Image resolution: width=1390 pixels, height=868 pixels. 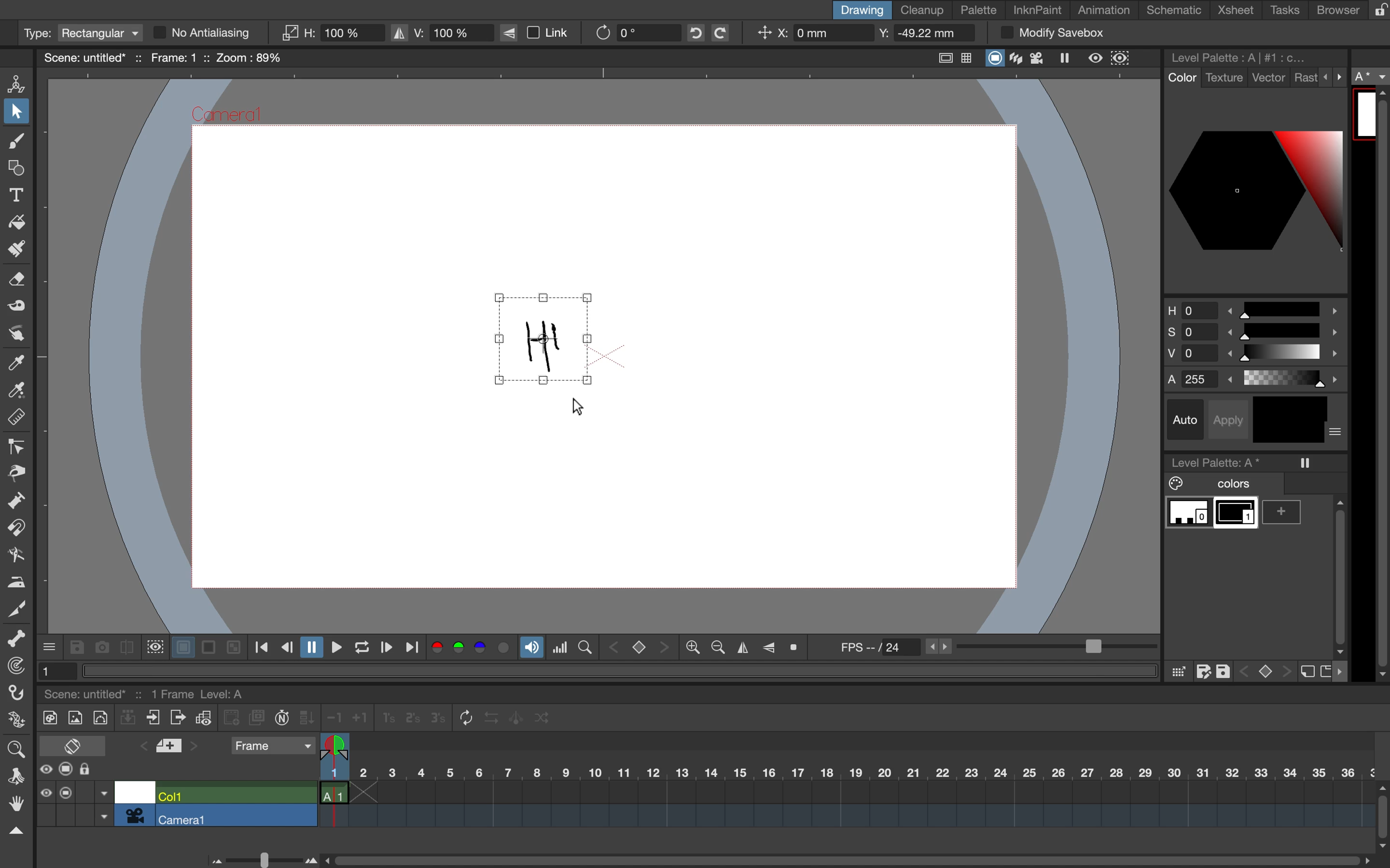 What do you see at coordinates (560, 648) in the screenshot?
I see `histogram` at bounding box center [560, 648].